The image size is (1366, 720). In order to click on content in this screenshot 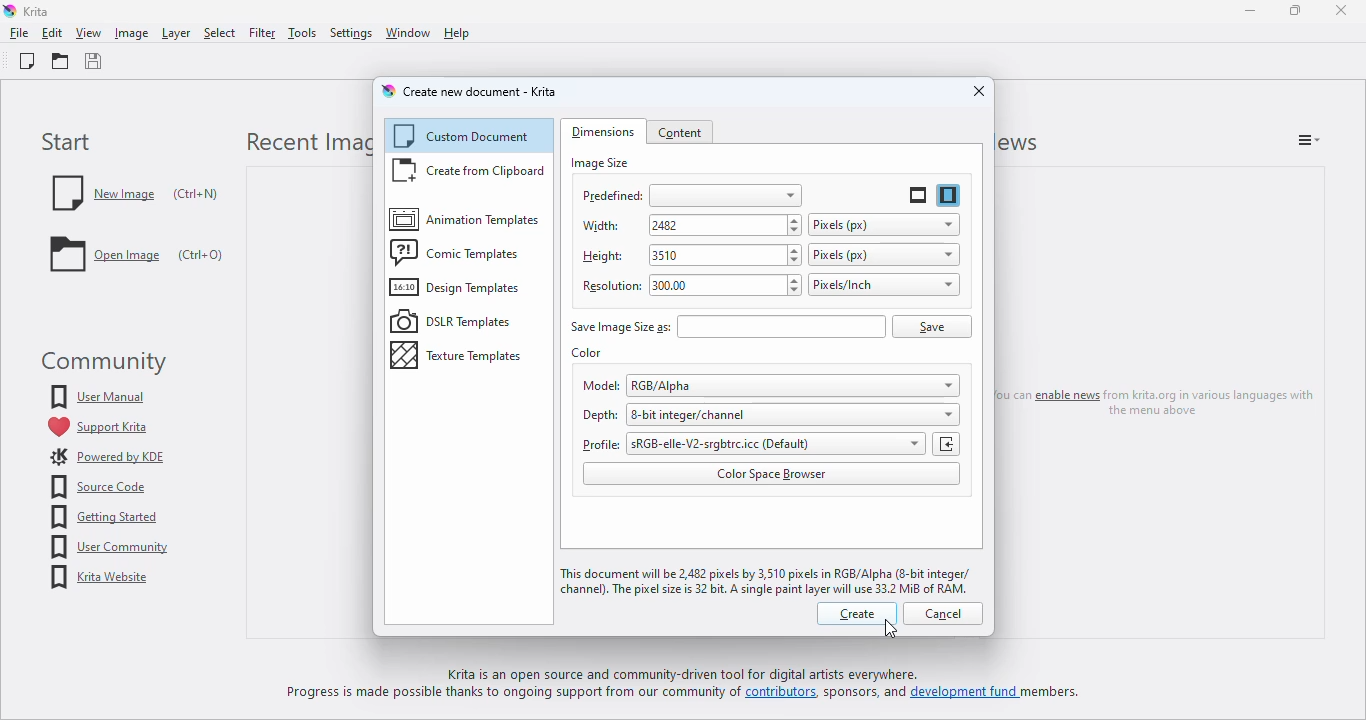, I will do `click(681, 133)`.